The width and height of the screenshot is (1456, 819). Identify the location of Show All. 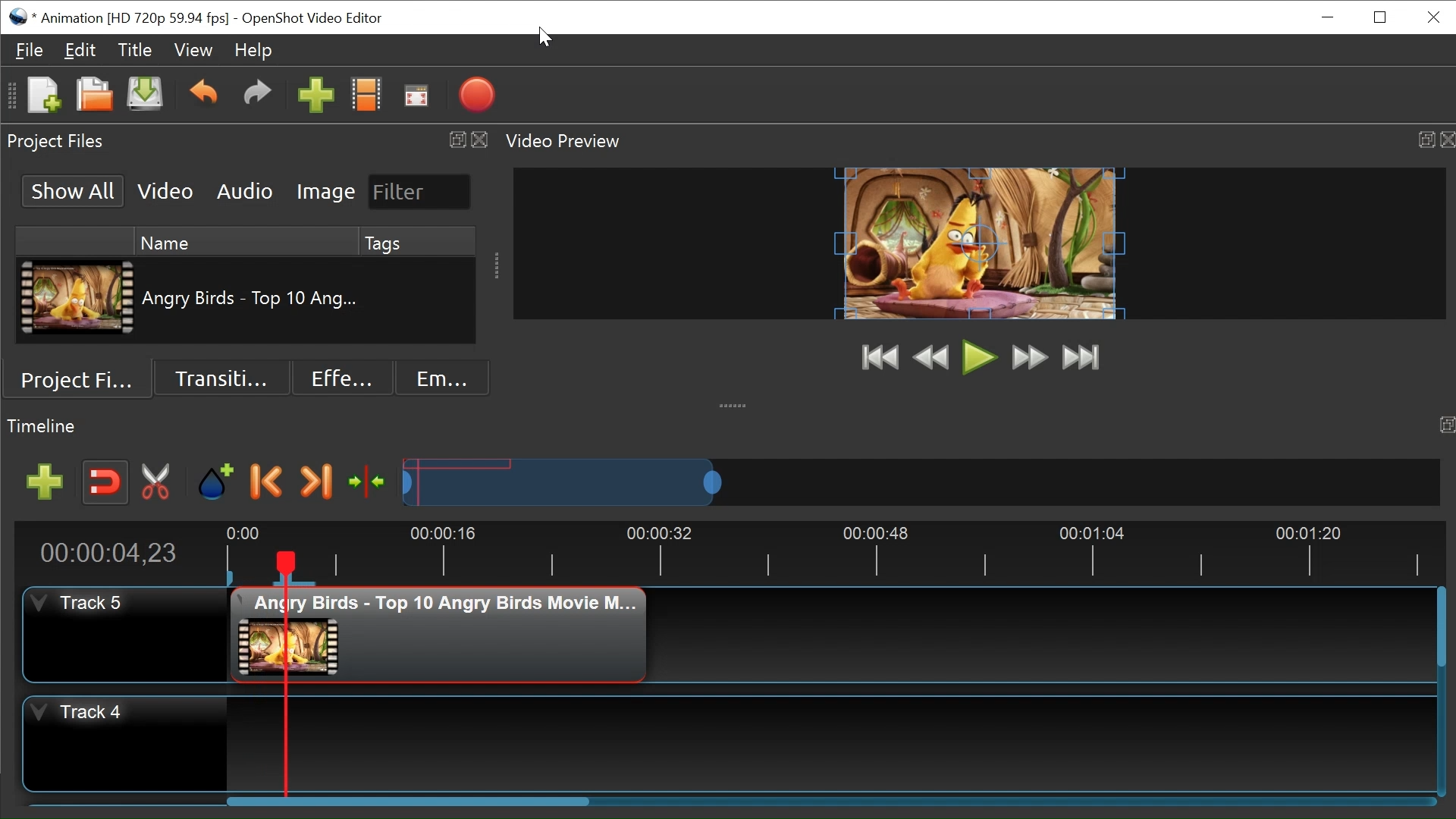
(75, 192).